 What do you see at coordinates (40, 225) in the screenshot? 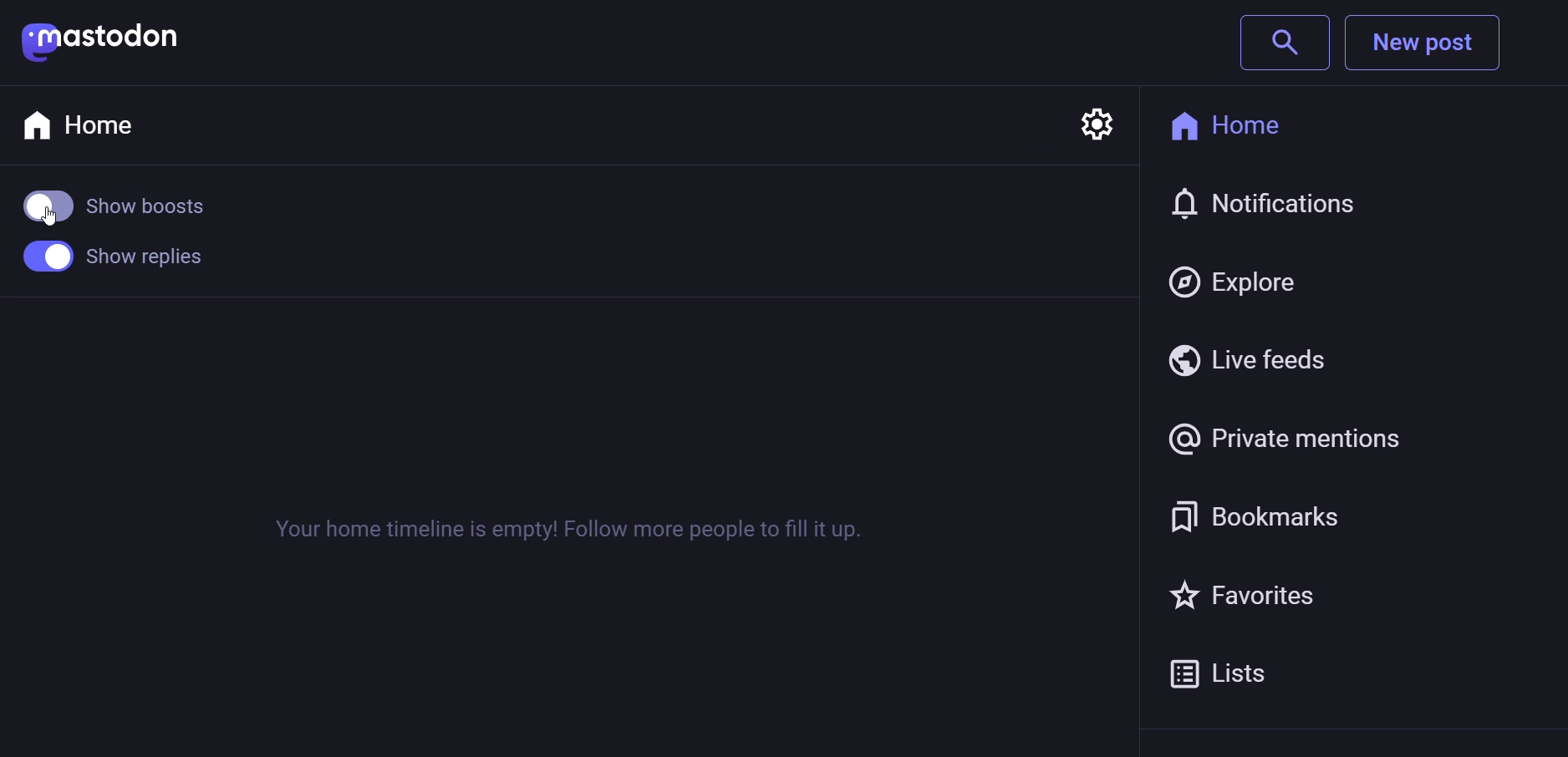
I see `cursor` at bounding box center [40, 225].